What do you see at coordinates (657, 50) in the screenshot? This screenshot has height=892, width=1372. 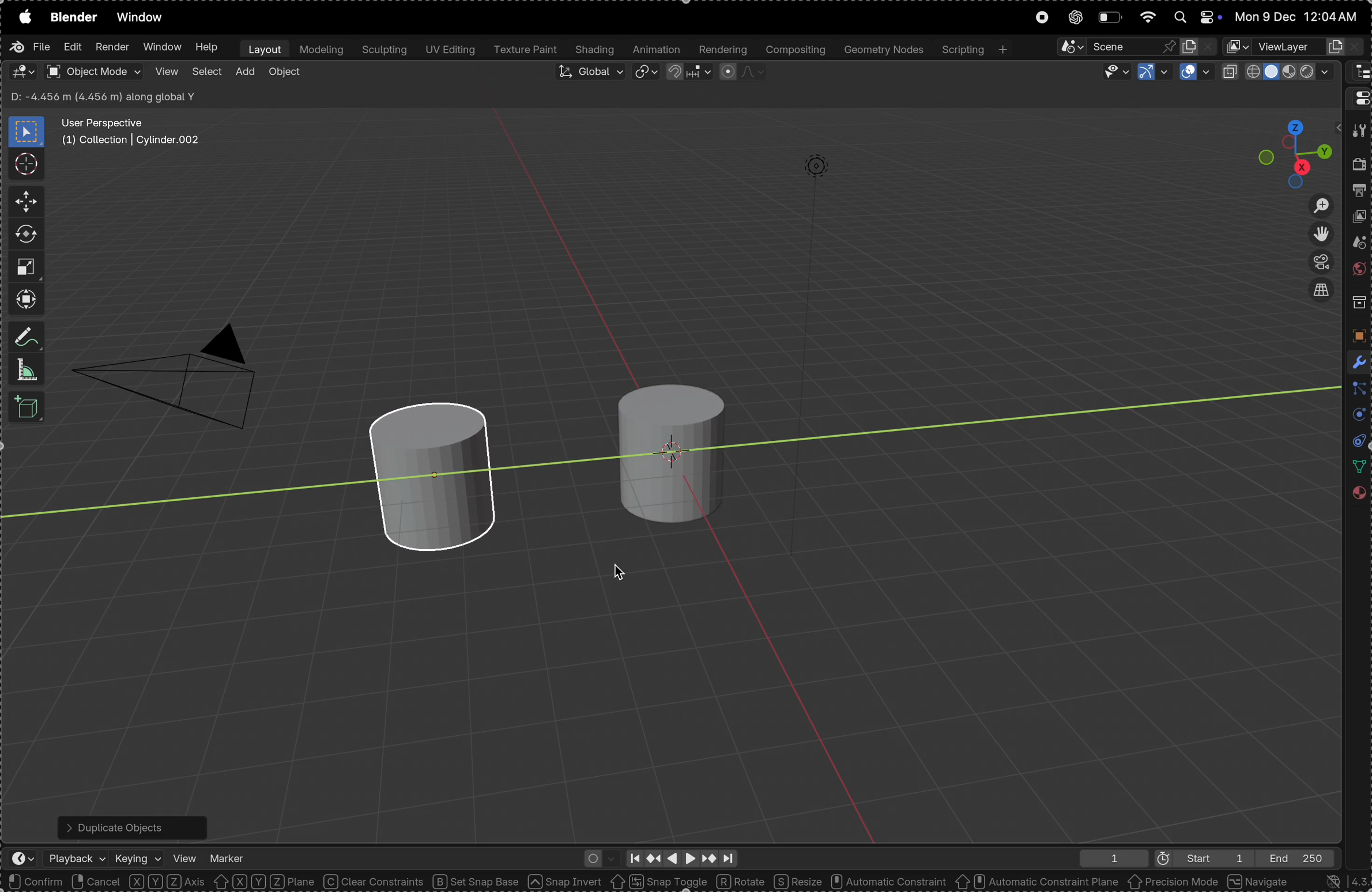 I see `Animation` at bounding box center [657, 50].